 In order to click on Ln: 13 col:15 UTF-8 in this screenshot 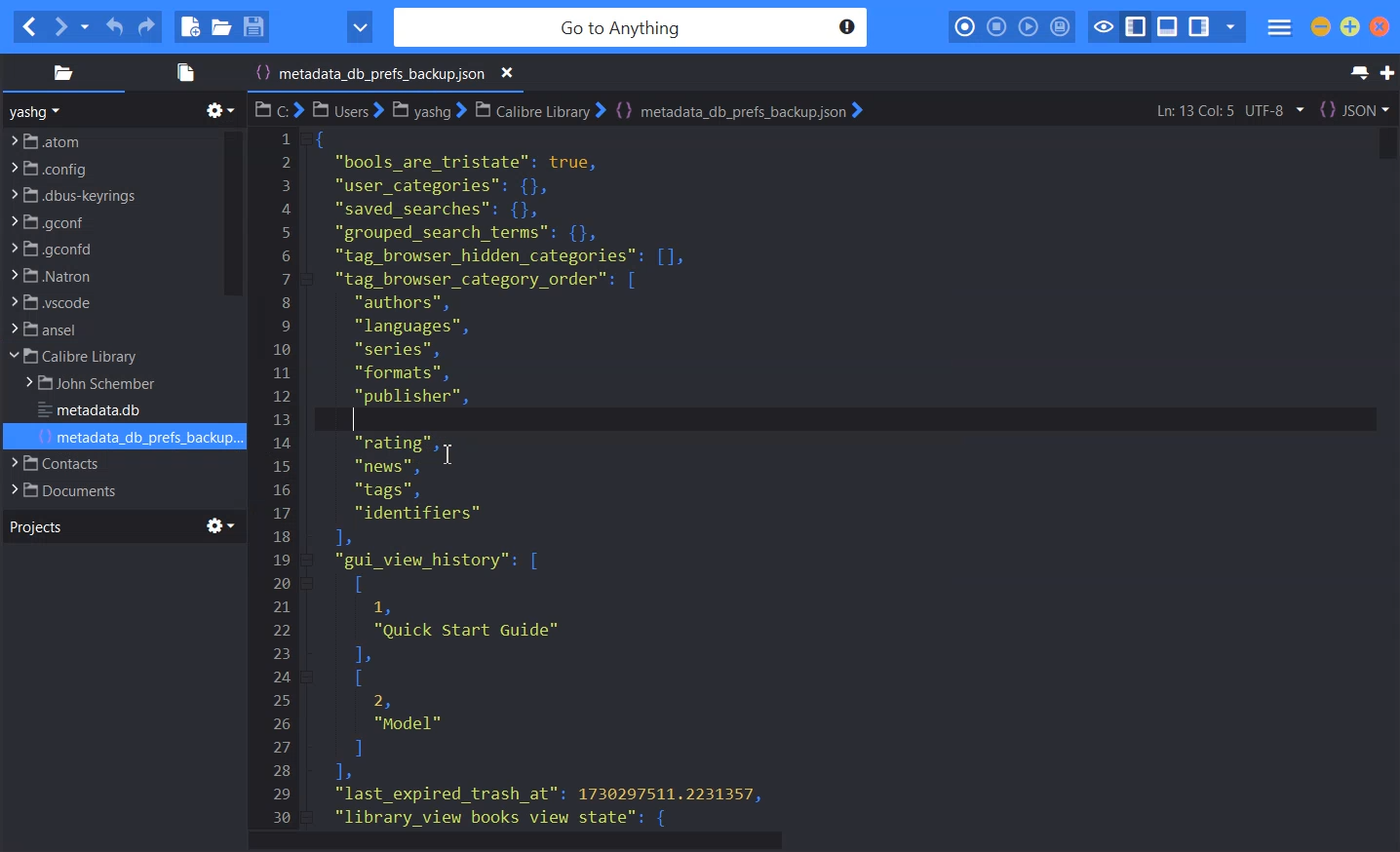, I will do `click(1228, 110)`.